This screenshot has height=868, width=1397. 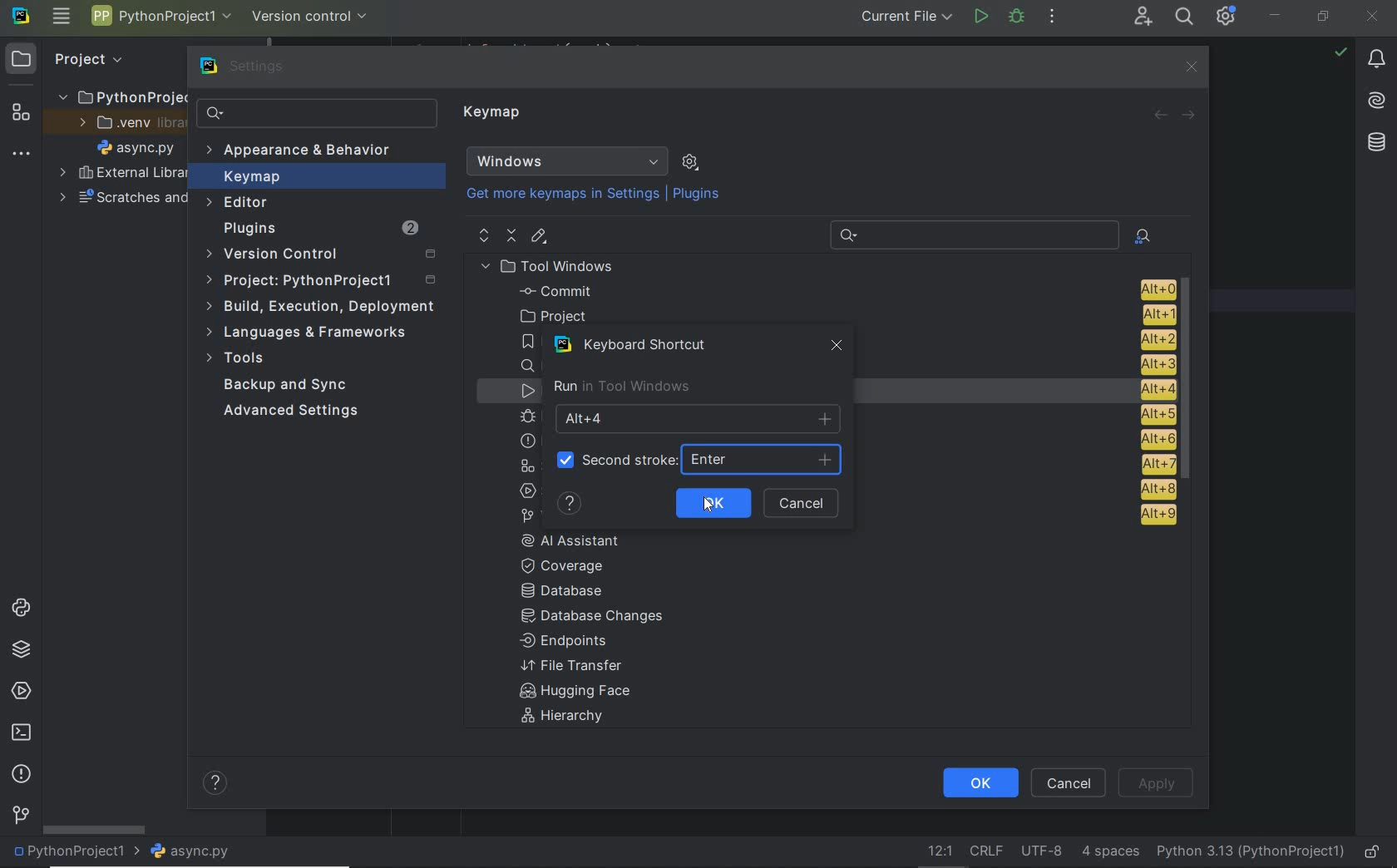 What do you see at coordinates (72, 853) in the screenshot?
I see `project name` at bounding box center [72, 853].